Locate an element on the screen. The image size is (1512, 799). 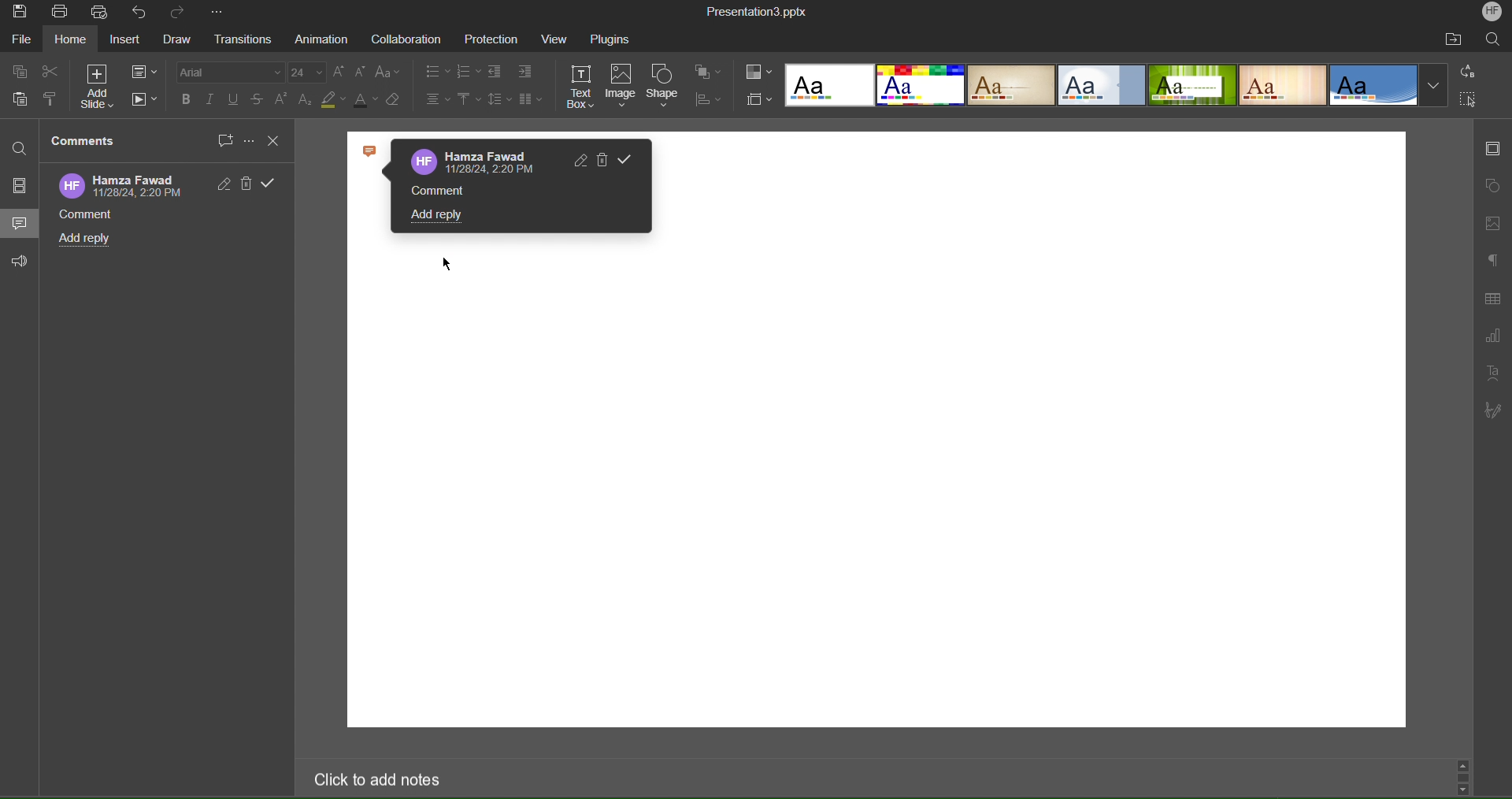
logo is located at coordinates (69, 186).